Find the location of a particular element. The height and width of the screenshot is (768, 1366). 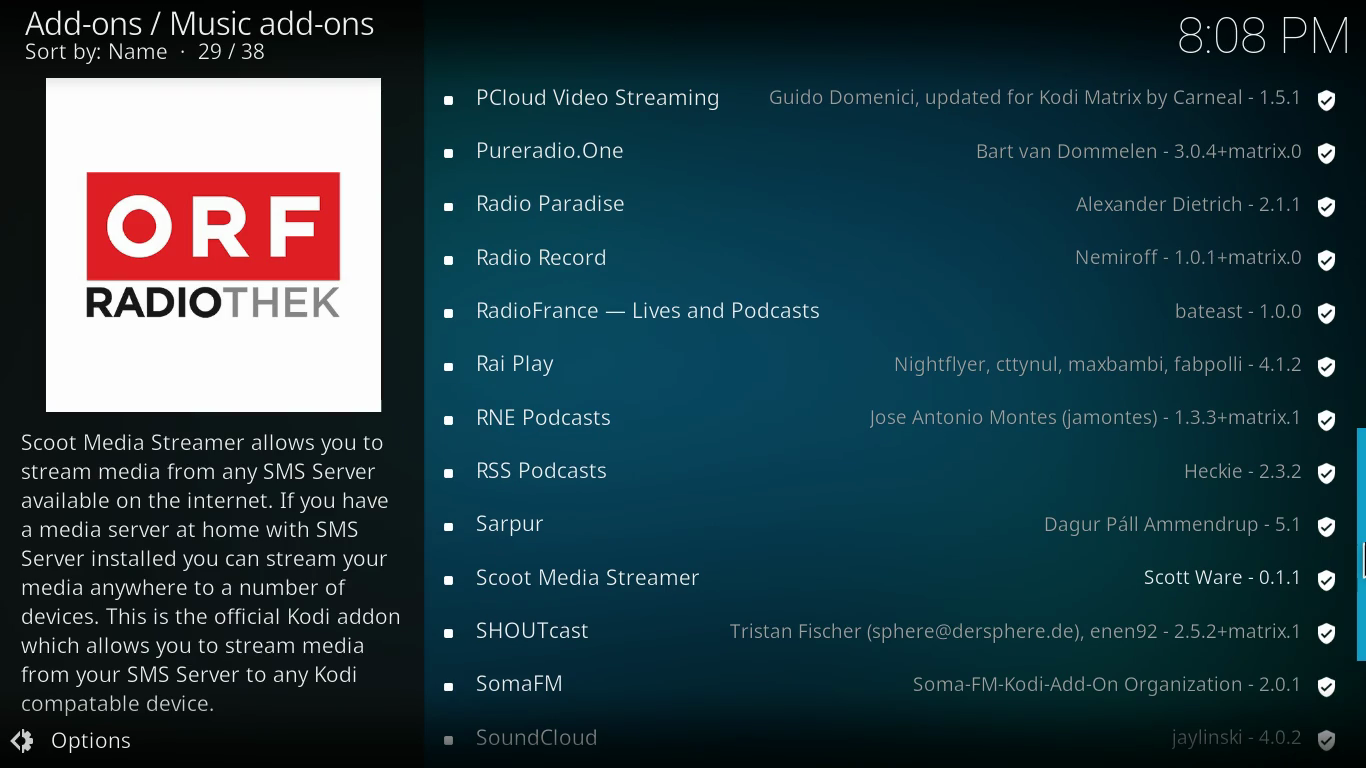

add-ons/music add-on is located at coordinates (208, 24).